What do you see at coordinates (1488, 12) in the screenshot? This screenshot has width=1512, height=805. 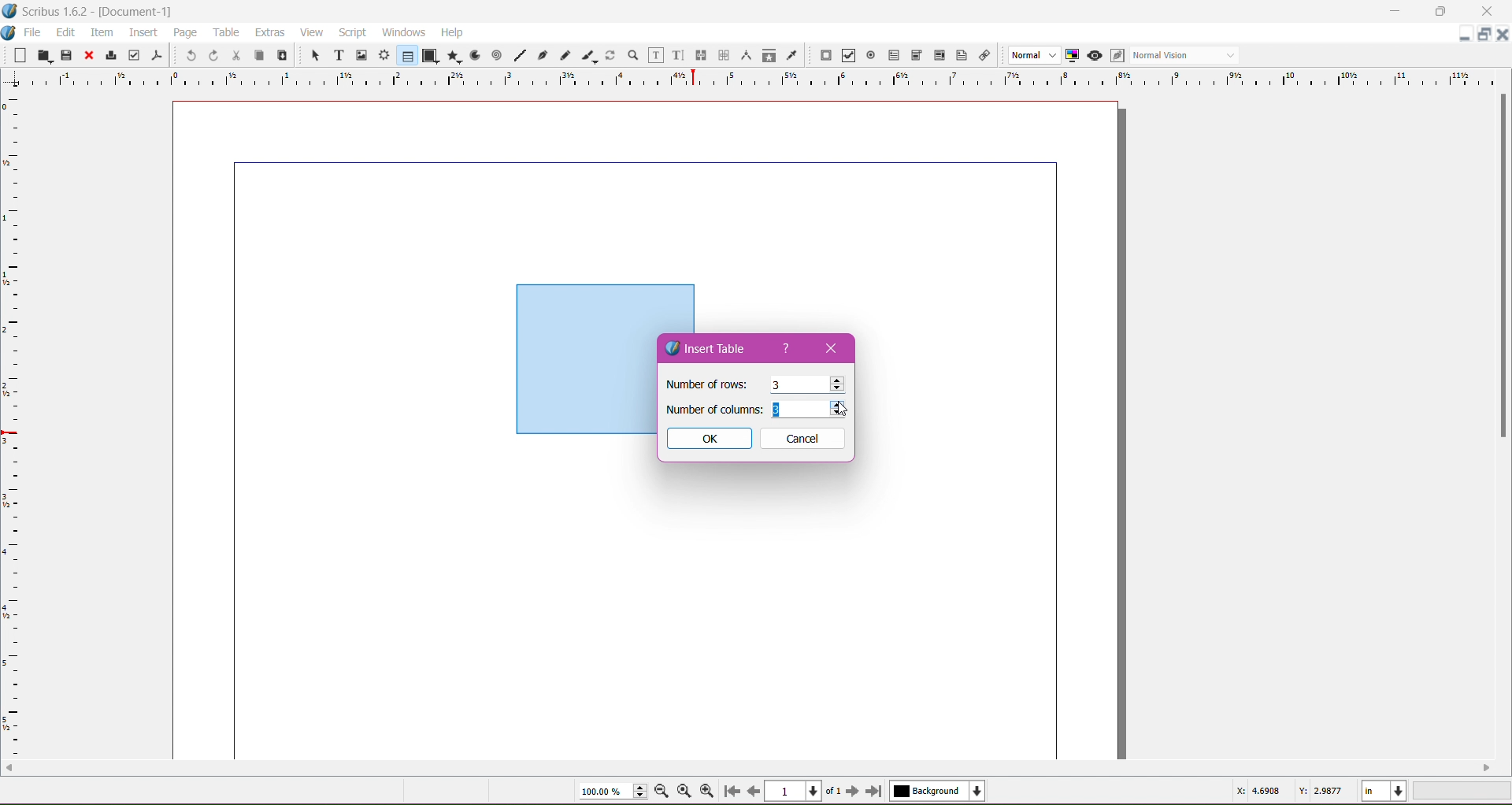 I see `Close` at bounding box center [1488, 12].